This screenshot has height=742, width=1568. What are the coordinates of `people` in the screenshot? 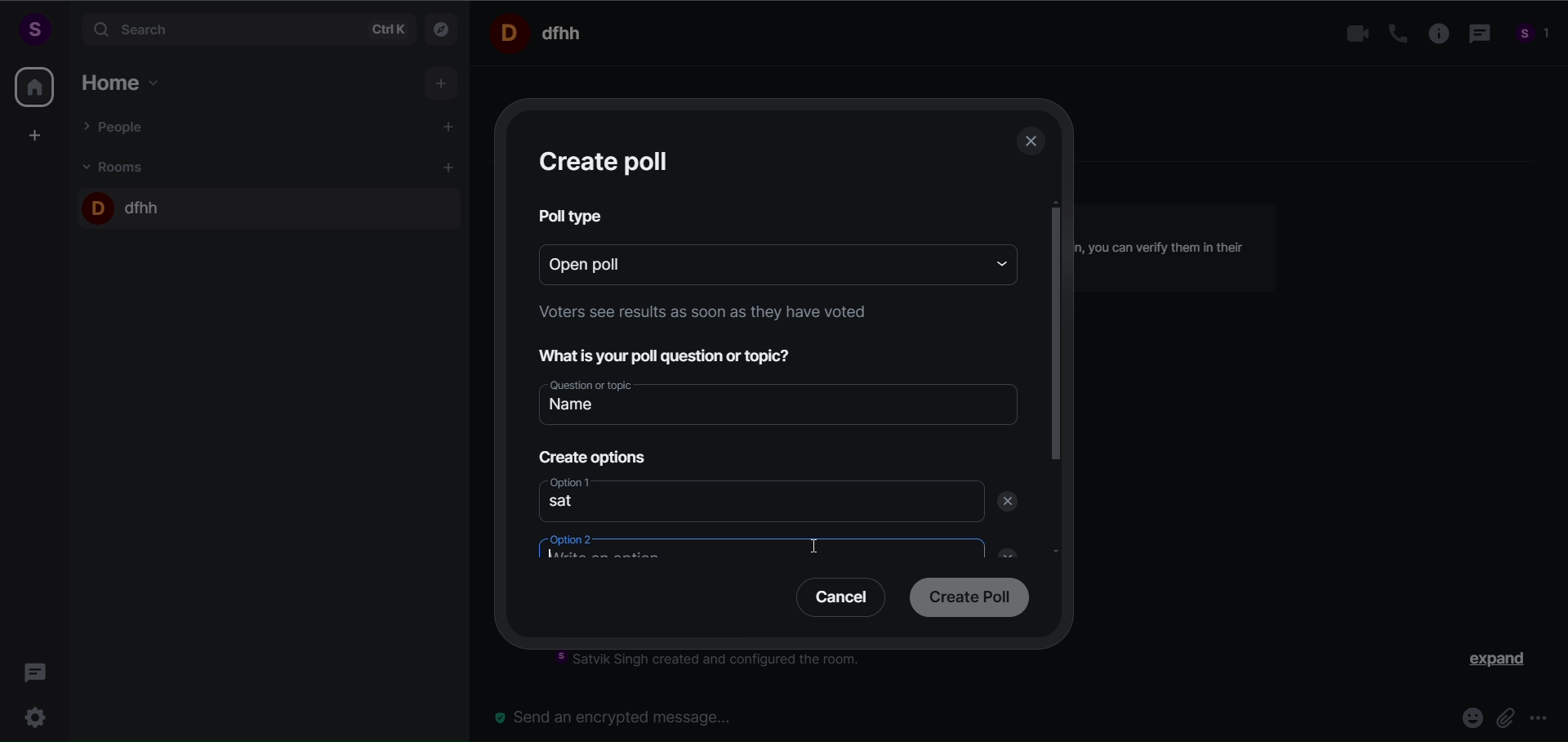 It's located at (117, 126).